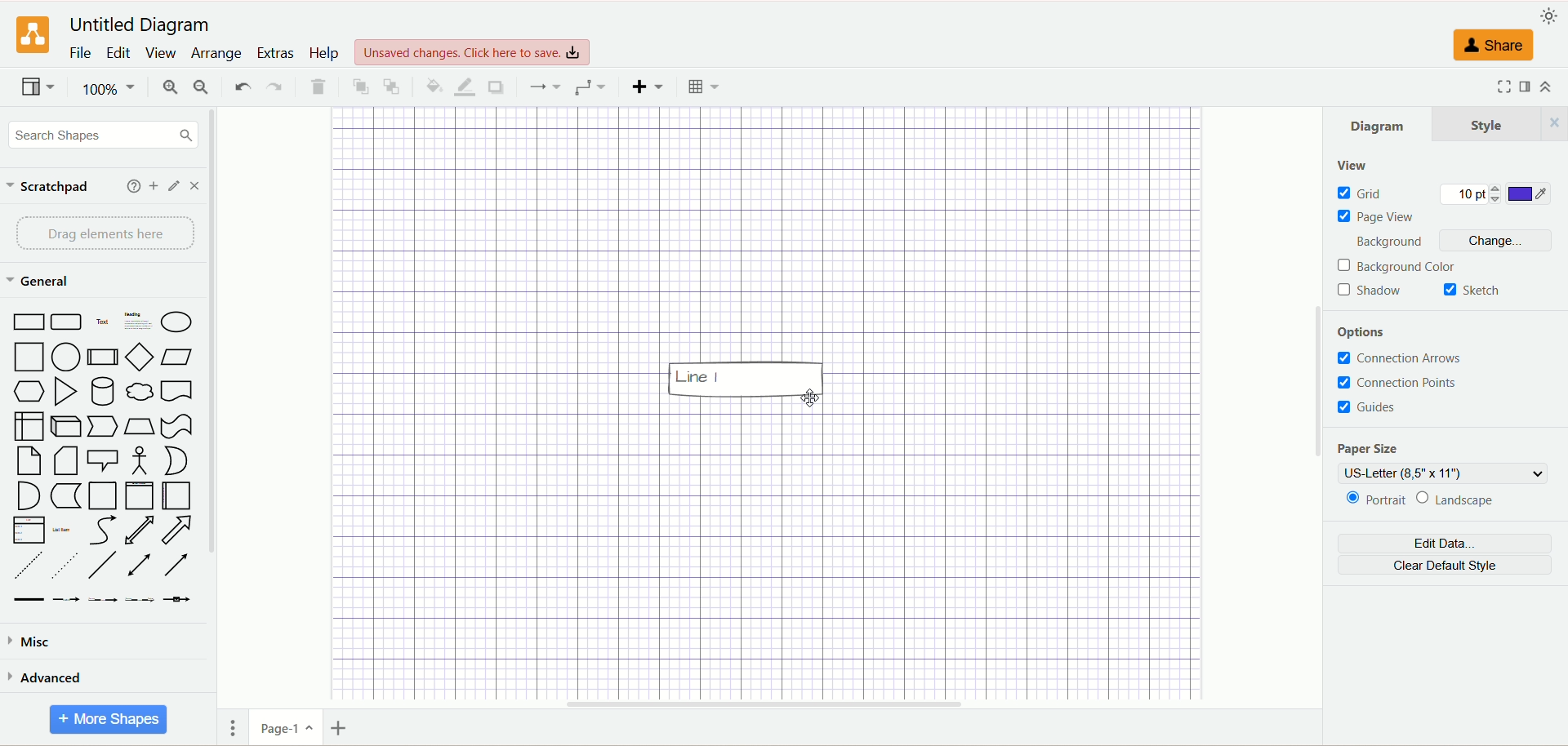 The height and width of the screenshot is (746, 1568). I want to click on color, so click(1530, 195).